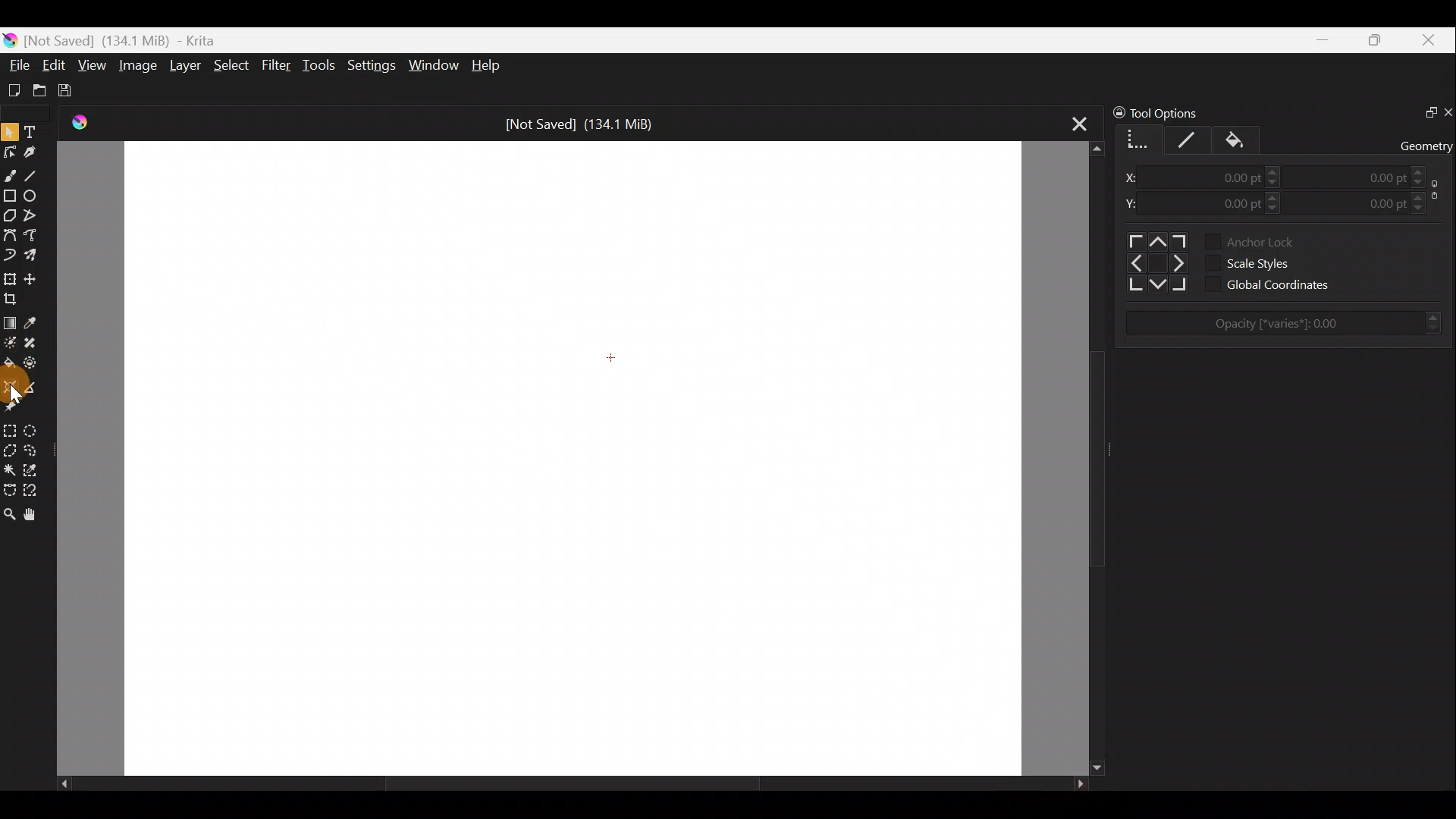  What do you see at coordinates (36, 449) in the screenshot?
I see `Freehand selection tool` at bounding box center [36, 449].